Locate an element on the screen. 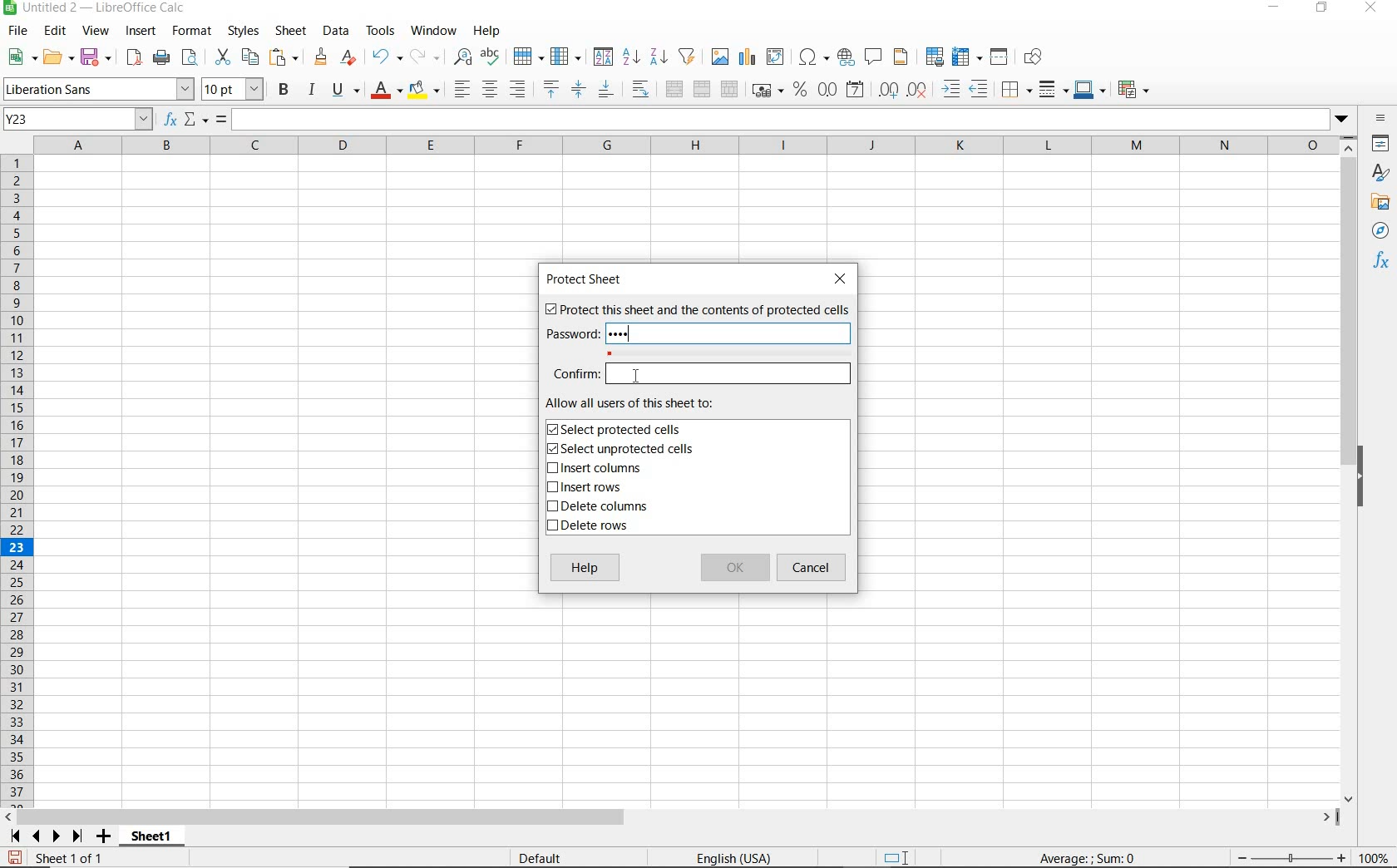  PROTECT THIS SHEET AND THE CONTENTS OF PROTECTED CELLS is located at coordinates (696, 311).